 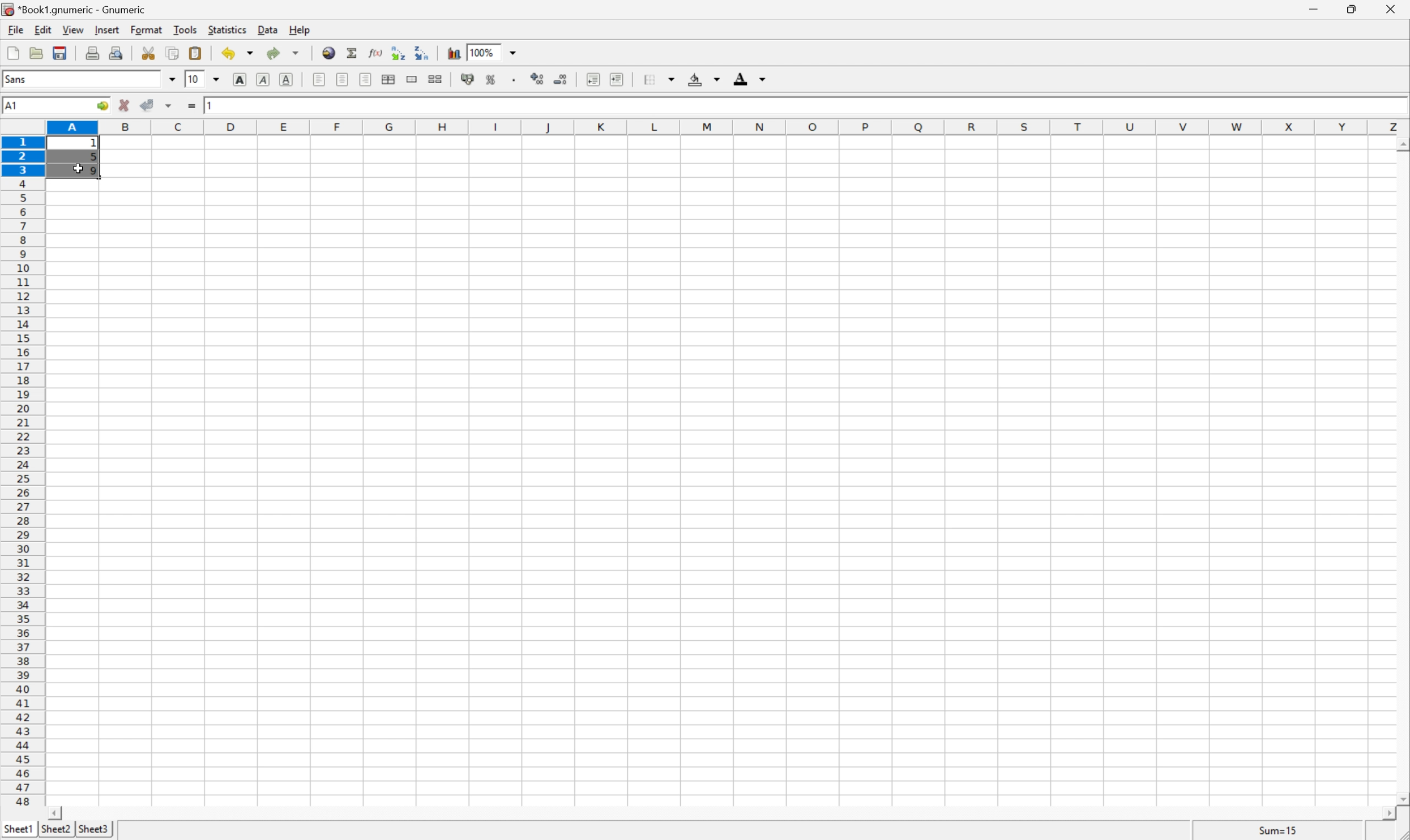 I want to click on view, so click(x=74, y=29).